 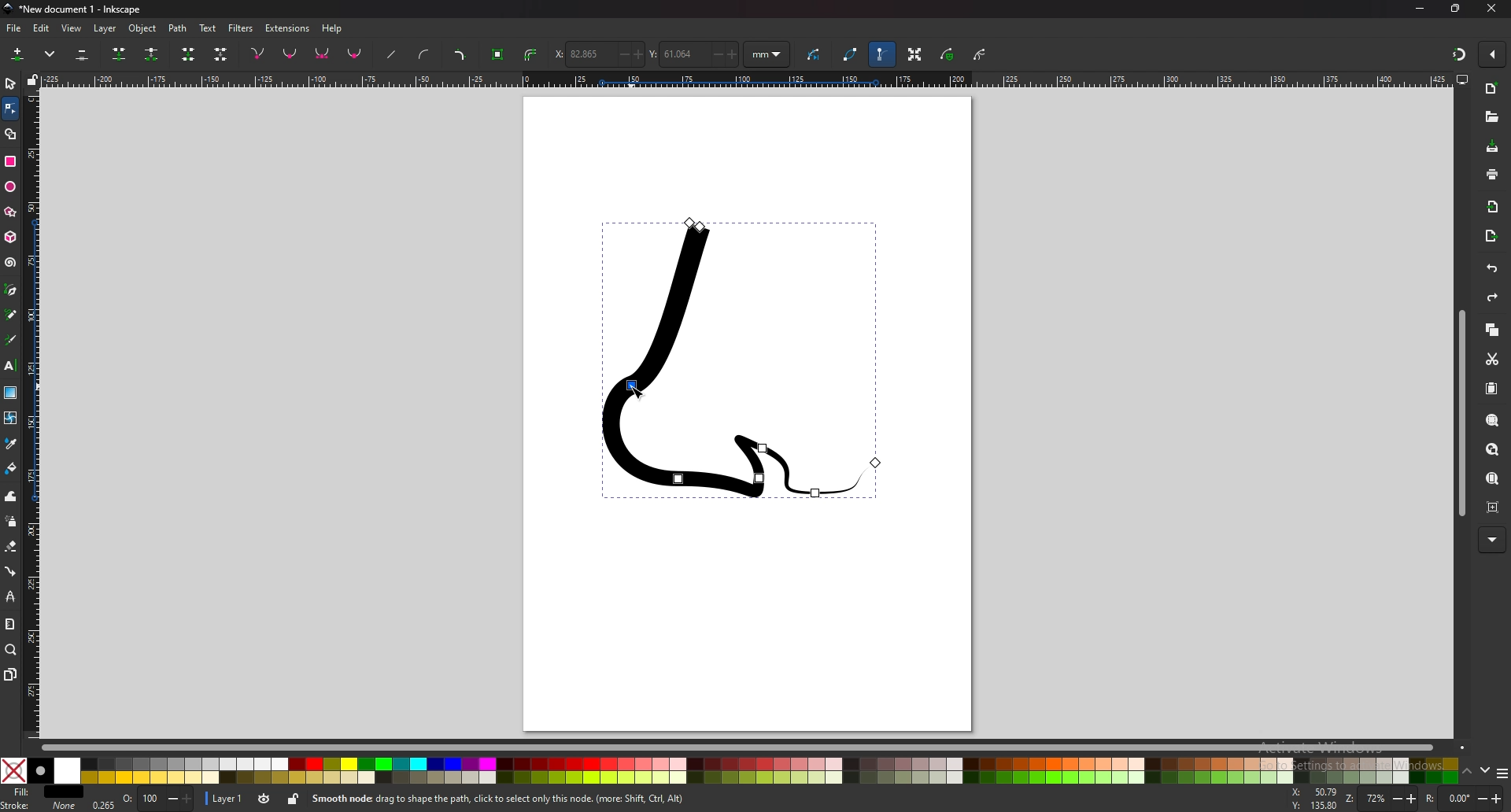 I want to click on object, so click(x=145, y=28).